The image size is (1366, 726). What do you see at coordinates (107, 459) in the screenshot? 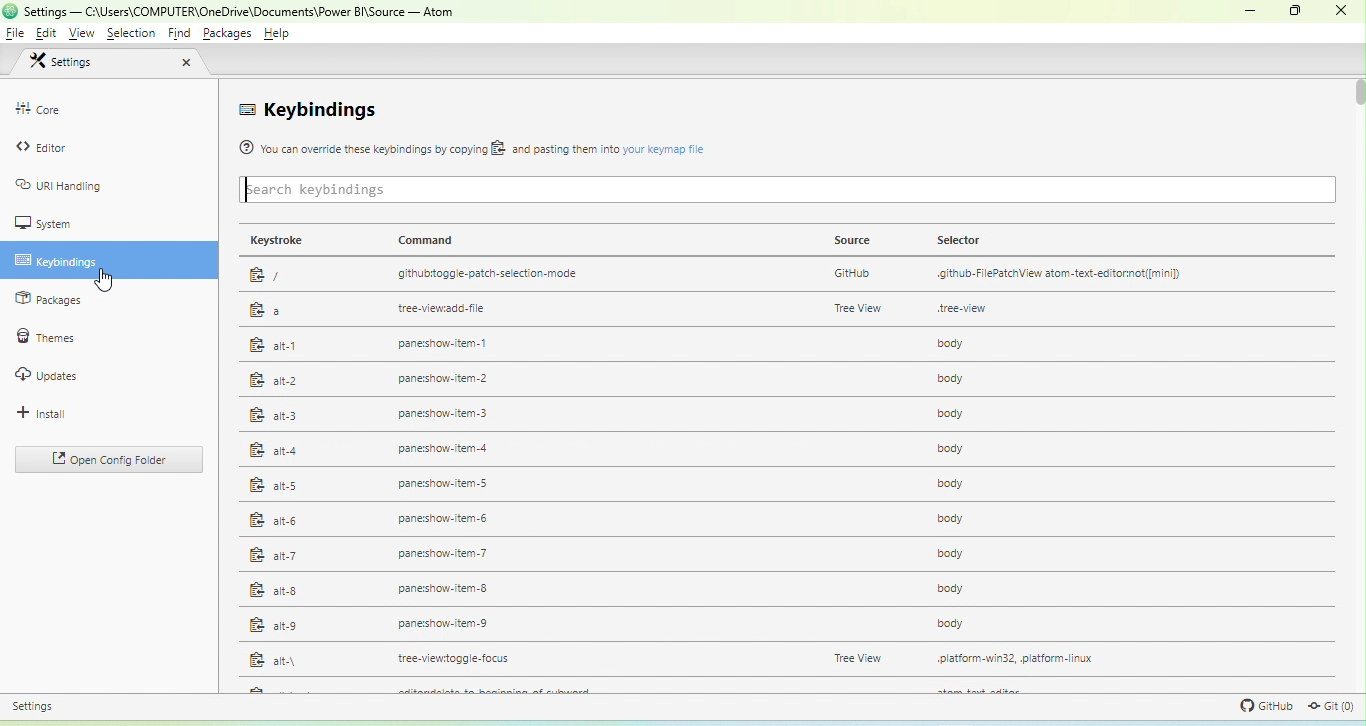
I see `open config folder` at bounding box center [107, 459].